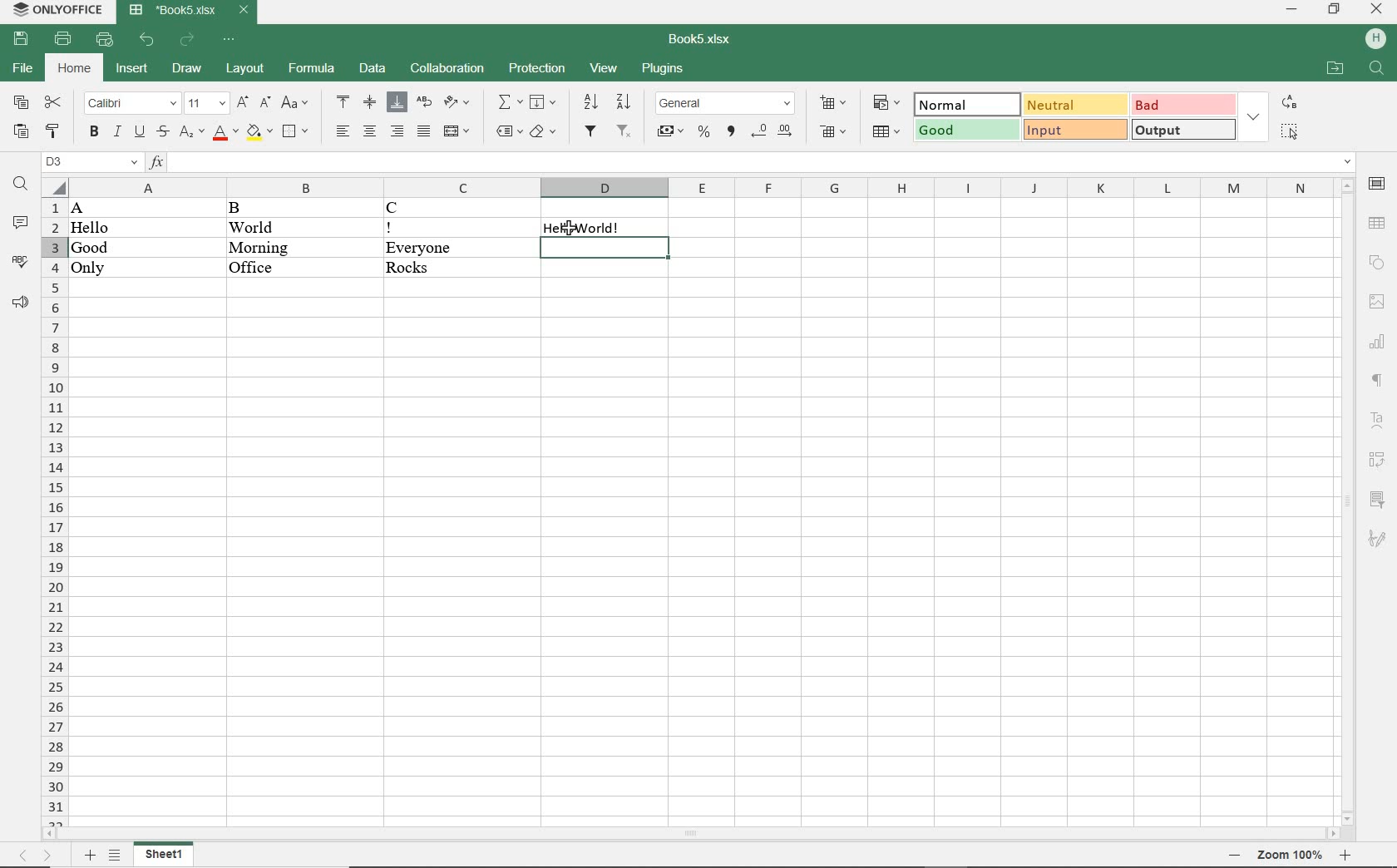 This screenshot has height=868, width=1397. What do you see at coordinates (533, 67) in the screenshot?
I see `PROTECTION` at bounding box center [533, 67].